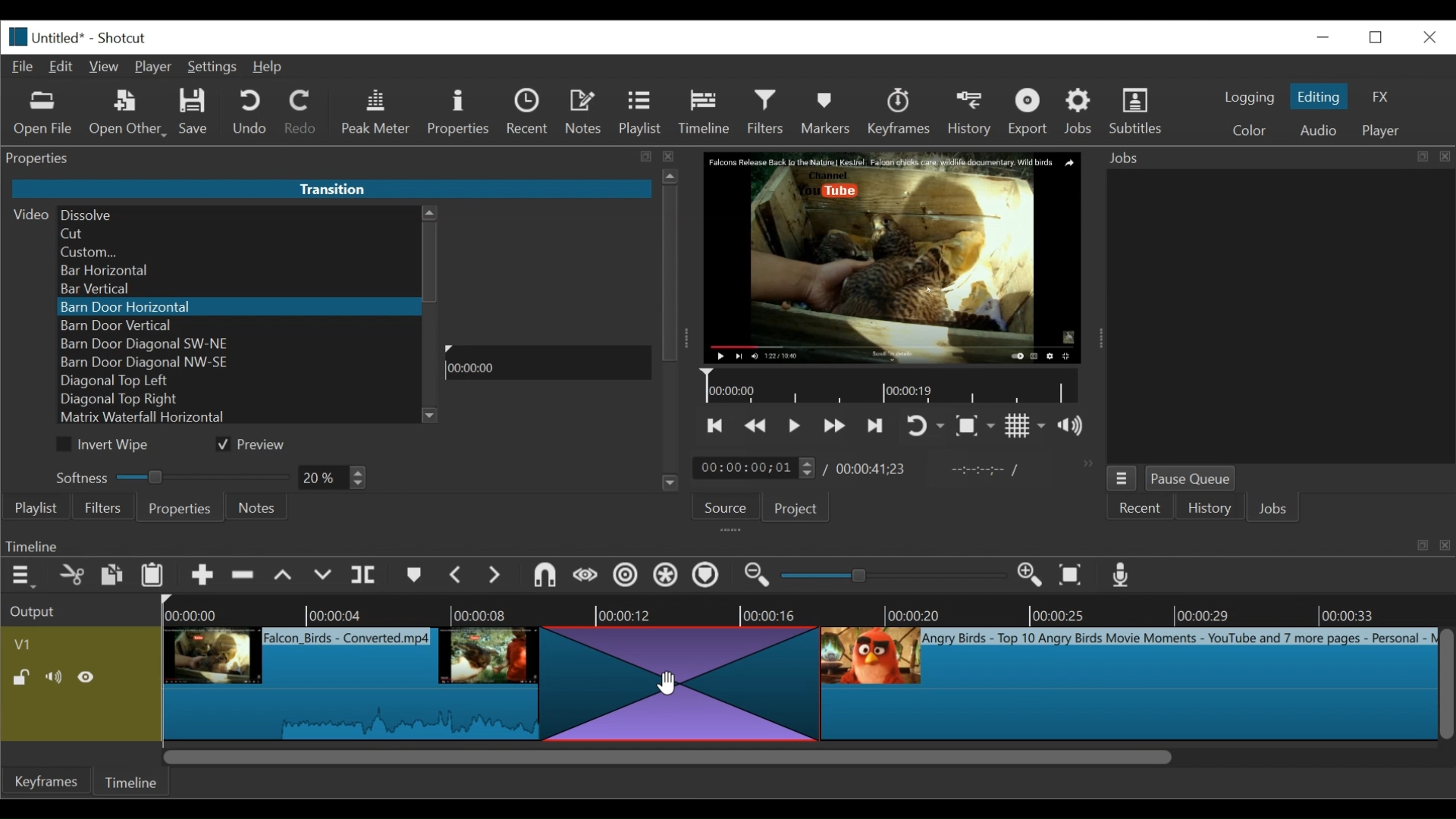 This screenshot has height=819, width=1456. I want to click on Transition, so click(675, 683).